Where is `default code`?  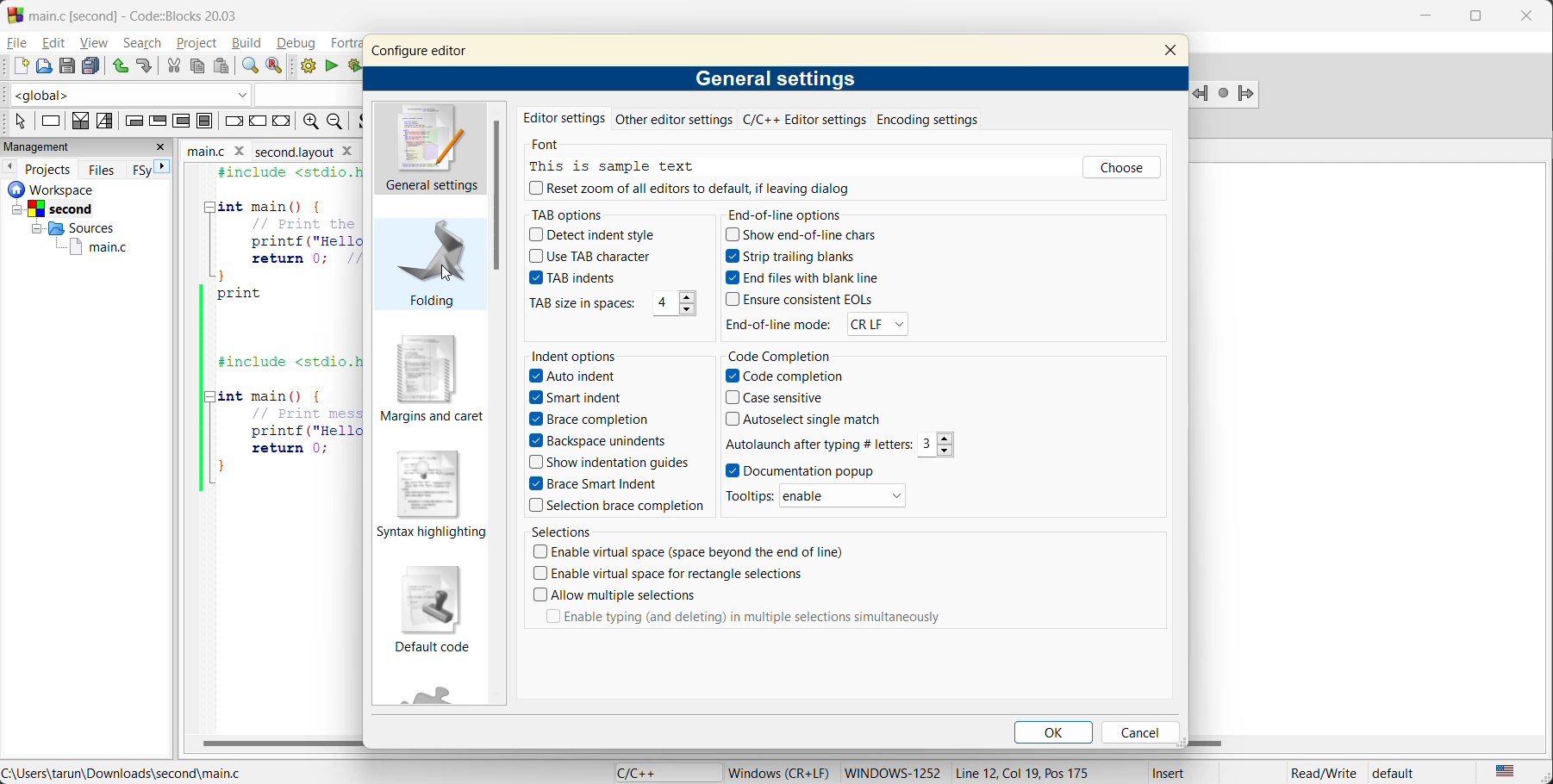 default code is located at coordinates (433, 607).